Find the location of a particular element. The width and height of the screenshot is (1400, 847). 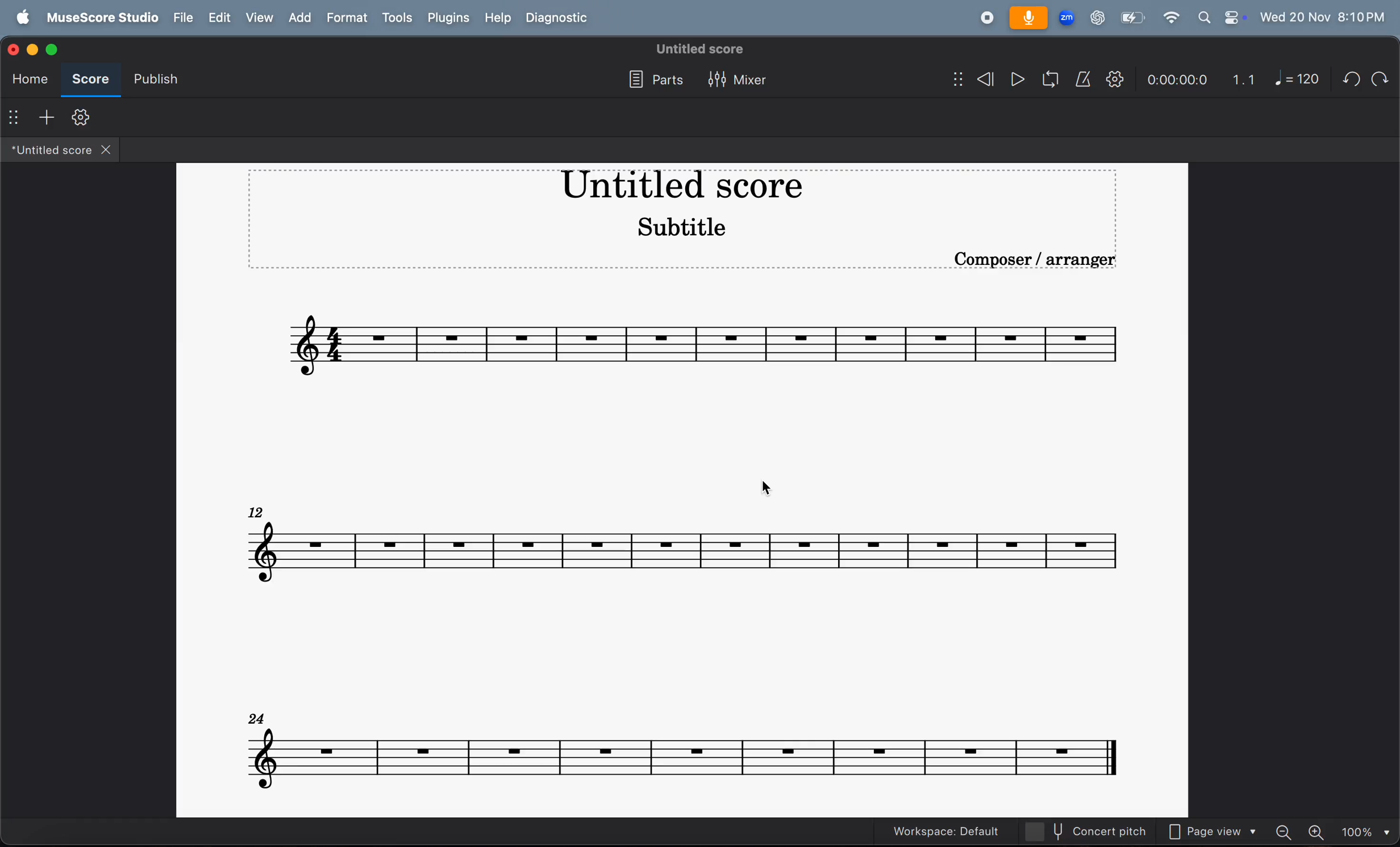

compose/arranger is located at coordinates (995, 260).